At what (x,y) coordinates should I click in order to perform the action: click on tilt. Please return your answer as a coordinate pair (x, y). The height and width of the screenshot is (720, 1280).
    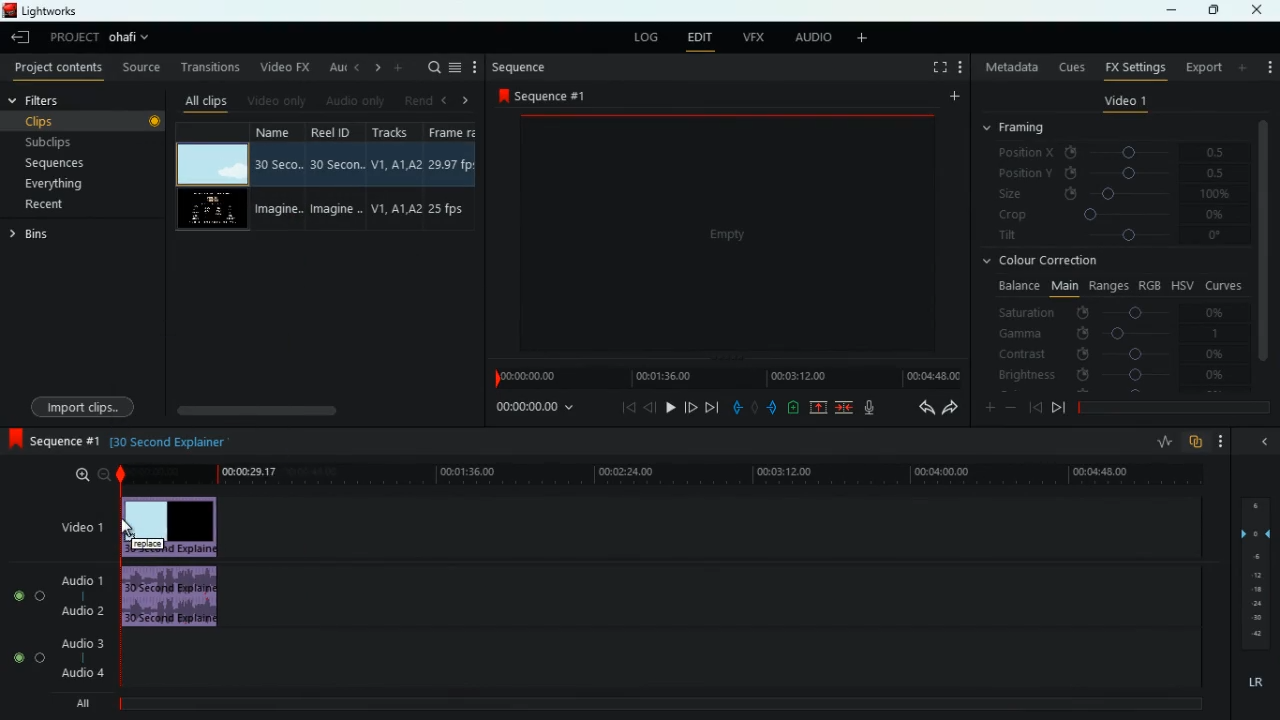
    Looking at the image, I should click on (1112, 238).